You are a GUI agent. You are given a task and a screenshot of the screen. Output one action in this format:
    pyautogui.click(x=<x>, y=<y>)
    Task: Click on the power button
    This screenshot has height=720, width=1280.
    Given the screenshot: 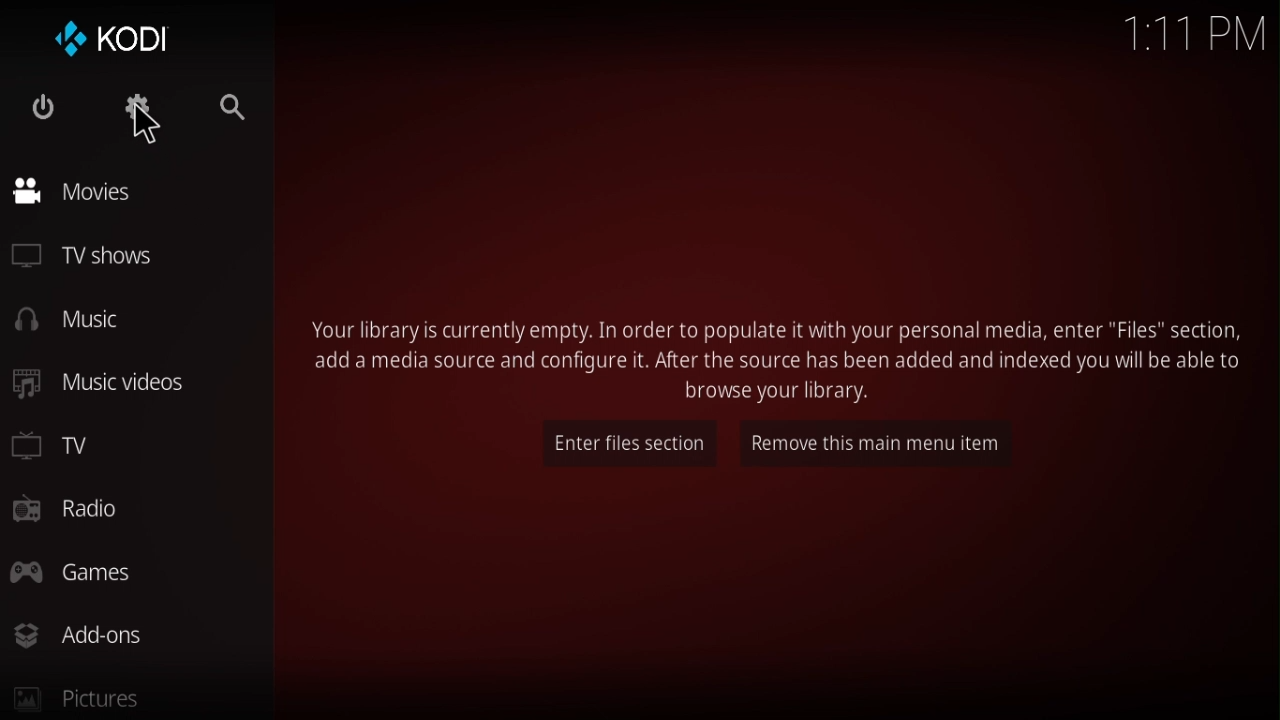 What is the action you would take?
    pyautogui.click(x=48, y=107)
    